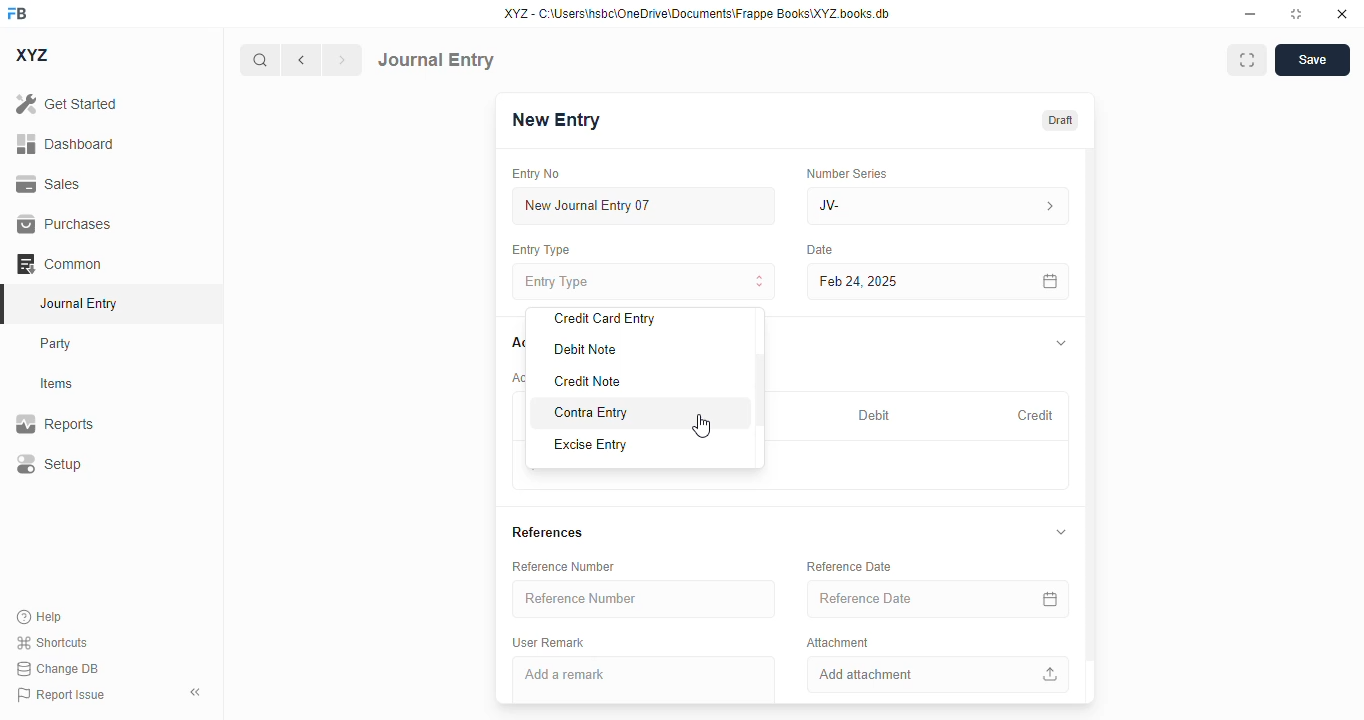 This screenshot has height=720, width=1364. Describe the element at coordinates (1051, 281) in the screenshot. I see `calendar icon` at that location.